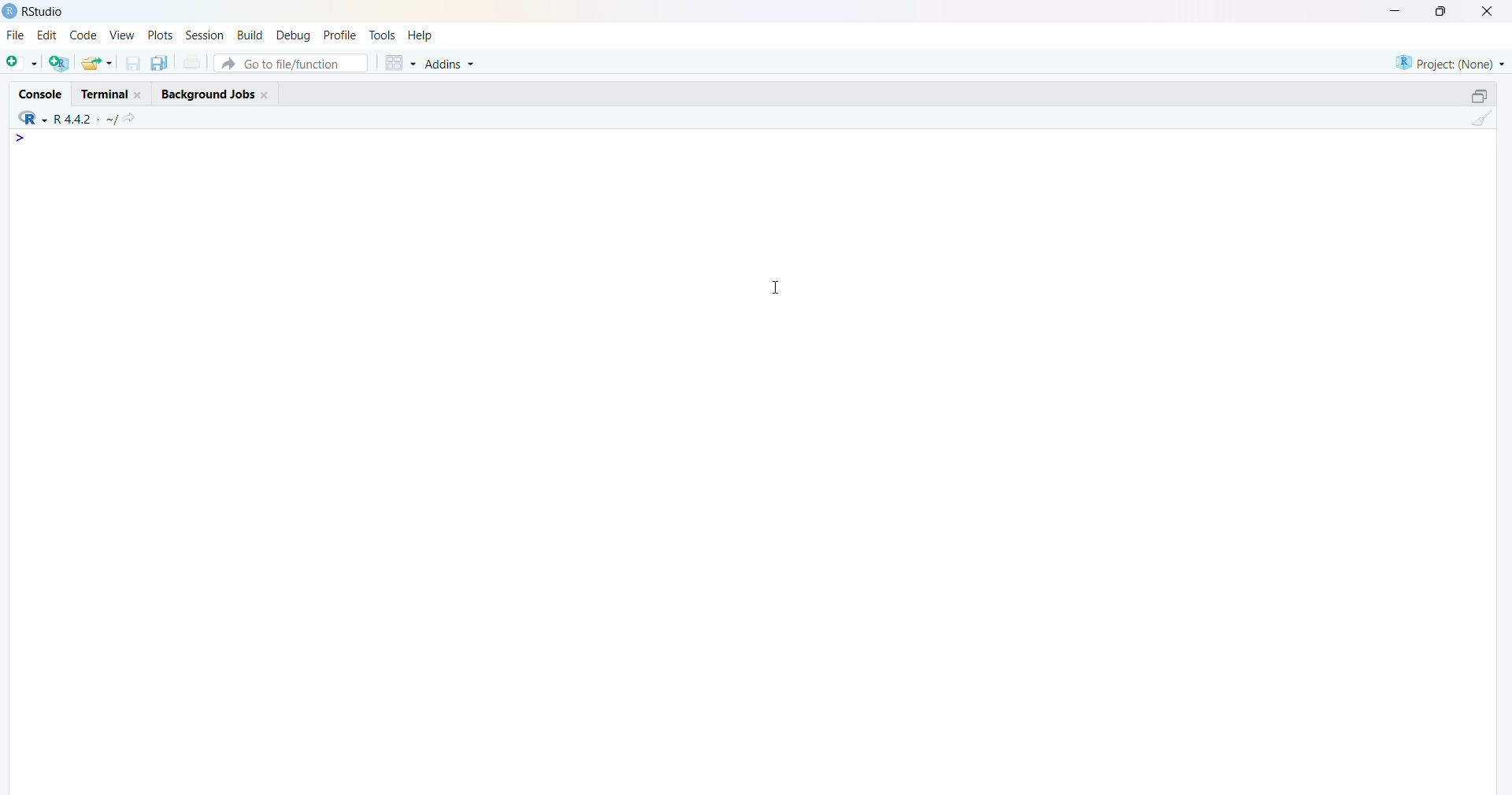 The height and width of the screenshot is (795, 1512). I want to click on cursor, so click(776, 287).